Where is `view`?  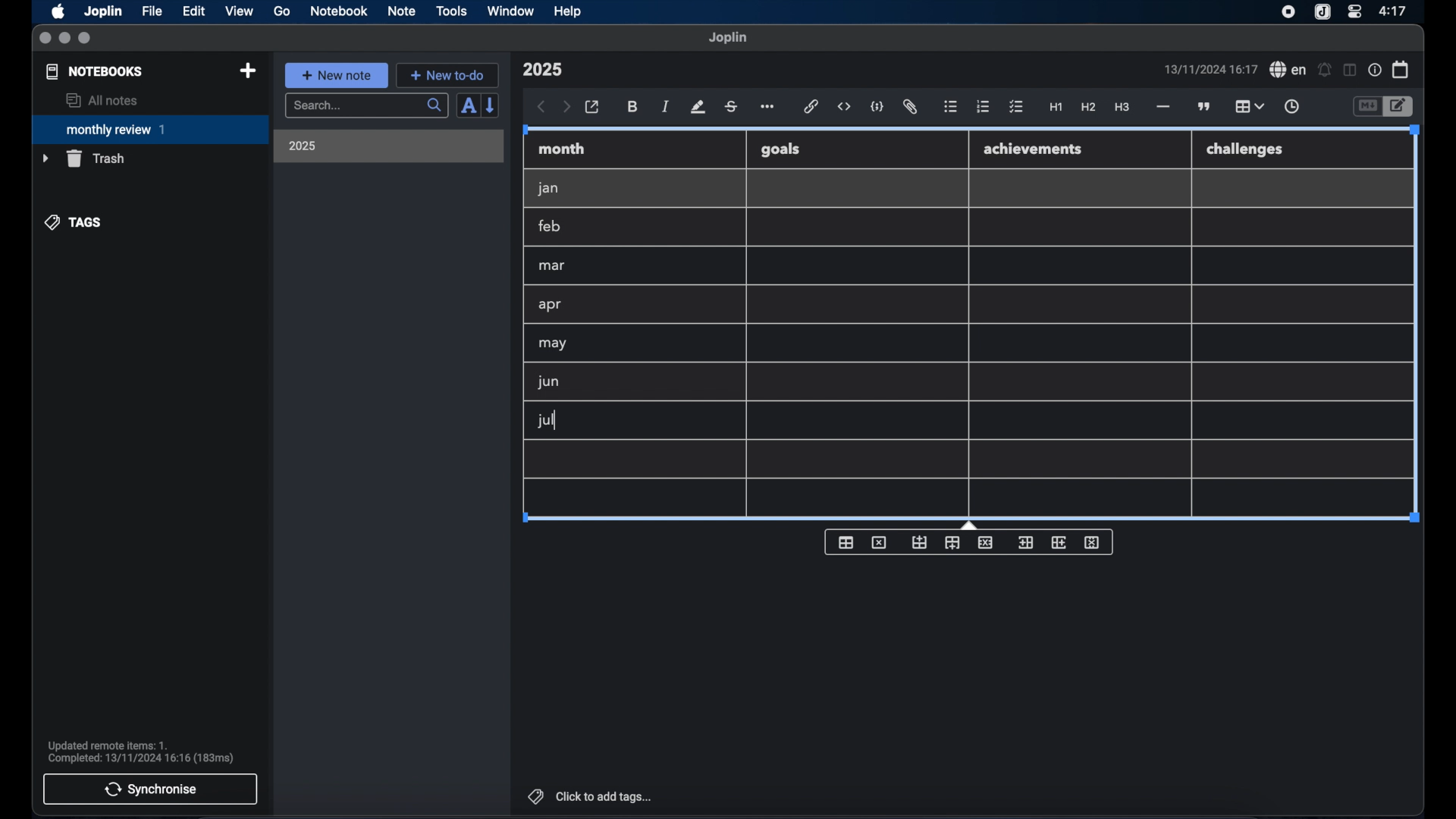 view is located at coordinates (239, 11).